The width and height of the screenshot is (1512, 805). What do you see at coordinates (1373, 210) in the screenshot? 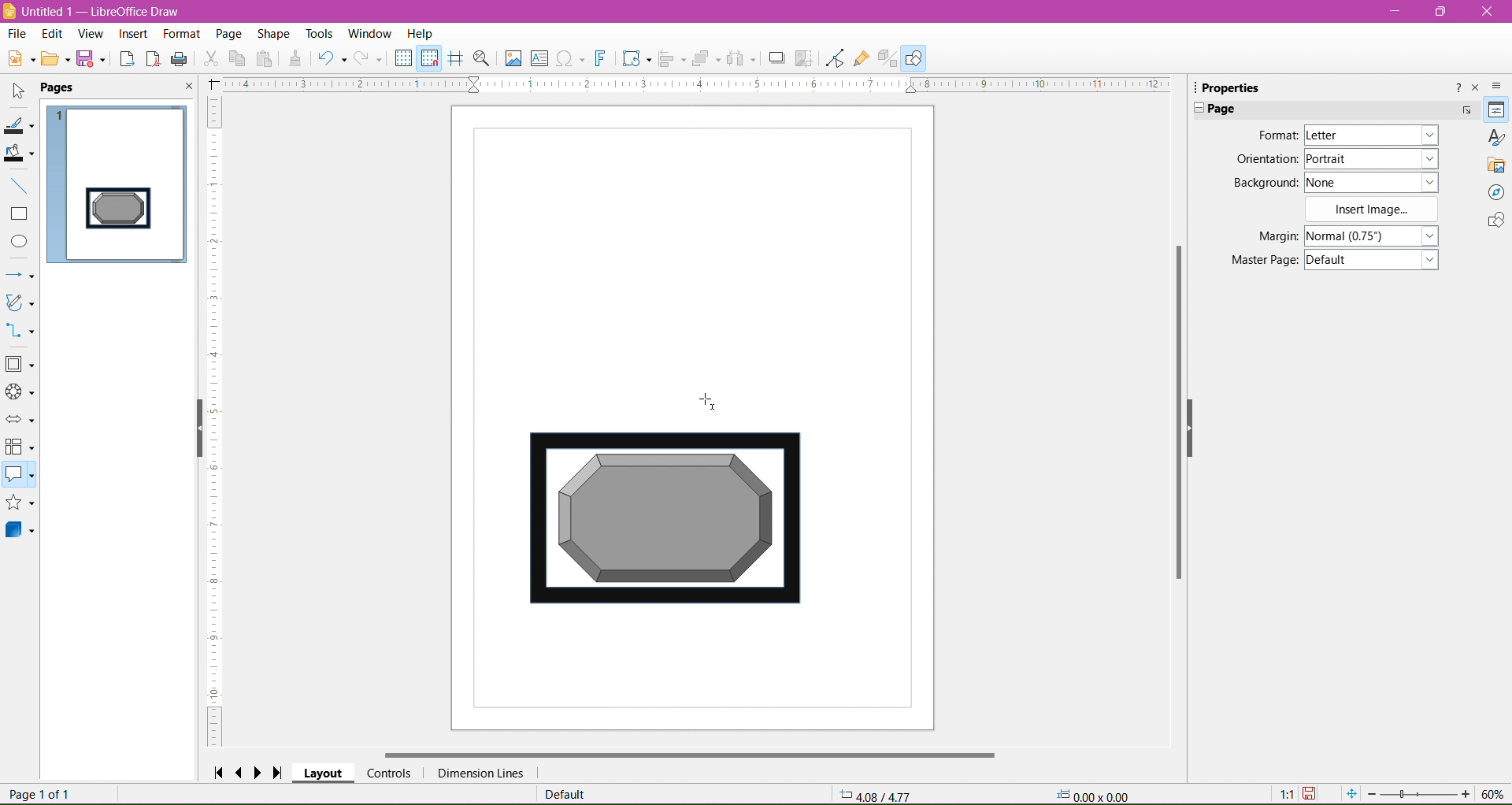
I see `Insert Image` at bounding box center [1373, 210].